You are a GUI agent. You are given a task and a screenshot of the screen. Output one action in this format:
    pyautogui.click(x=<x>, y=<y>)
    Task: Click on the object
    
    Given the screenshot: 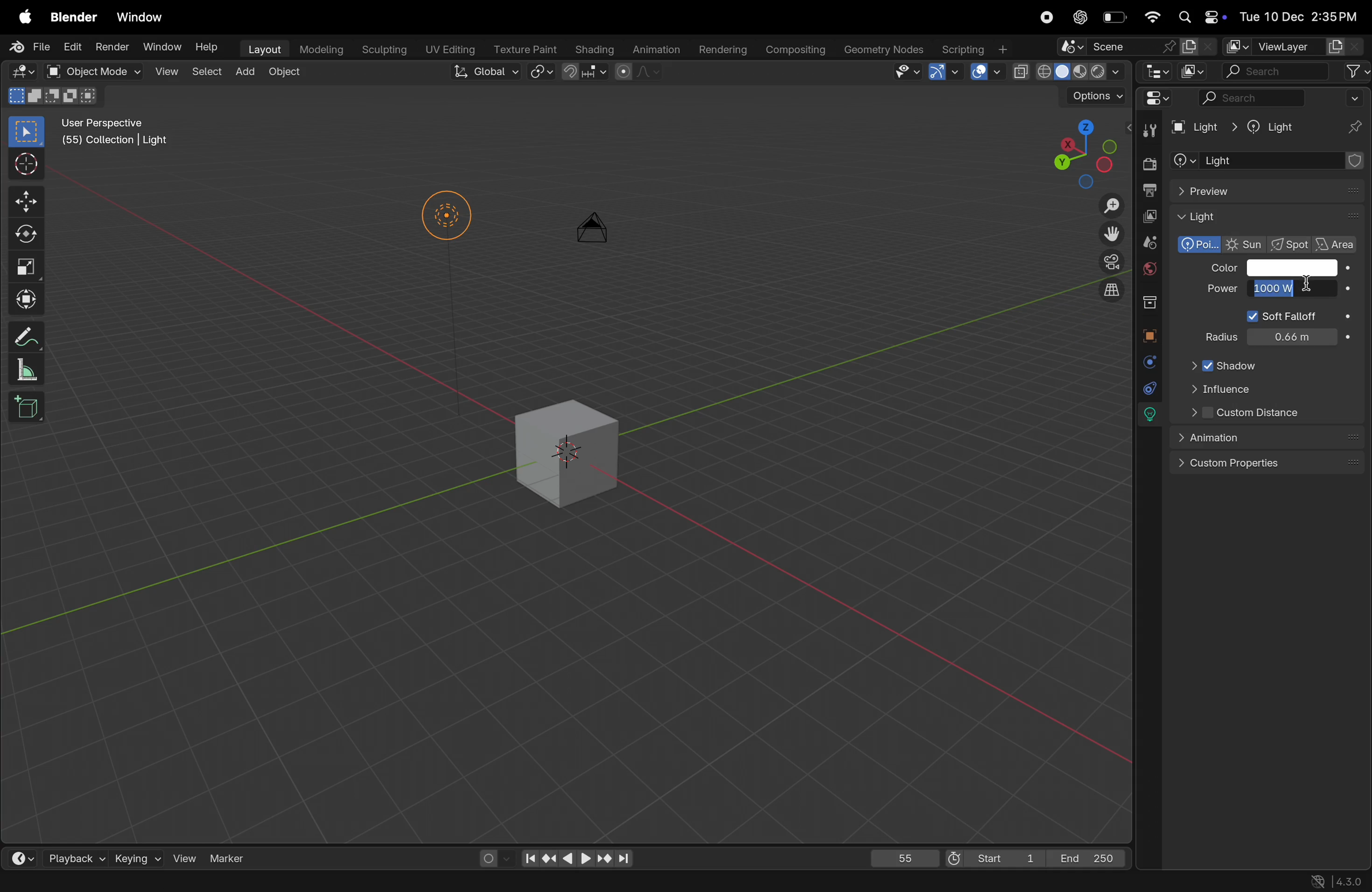 What is the action you would take?
    pyautogui.click(x=291, y=77)
    